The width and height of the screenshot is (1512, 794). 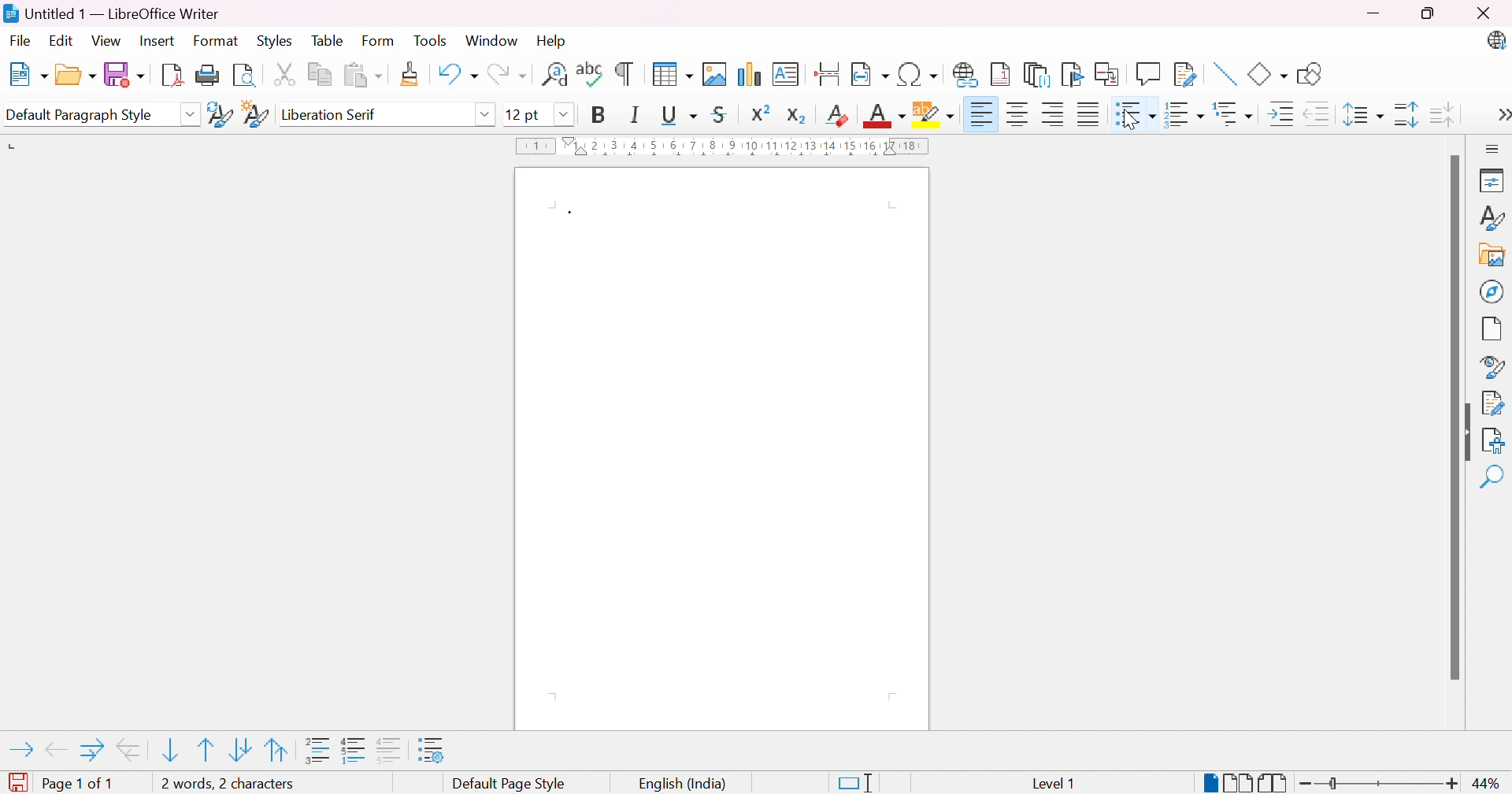 I want to click on Window, so click(x=492, y=42).